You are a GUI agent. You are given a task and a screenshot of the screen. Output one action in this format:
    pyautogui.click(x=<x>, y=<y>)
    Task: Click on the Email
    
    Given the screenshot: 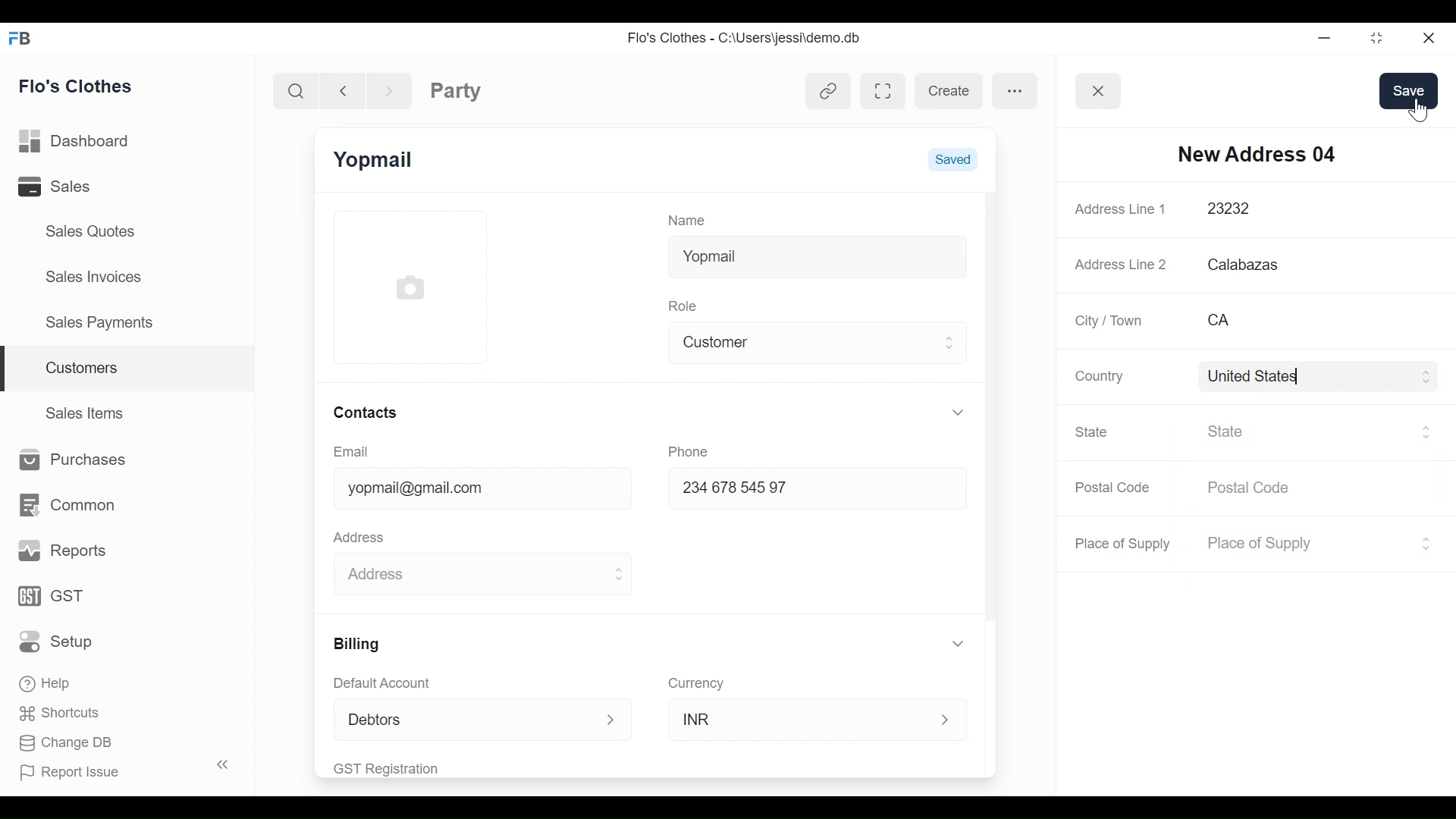 What is the action you would take?
    pyautogui.click(x=352, y=452)
    